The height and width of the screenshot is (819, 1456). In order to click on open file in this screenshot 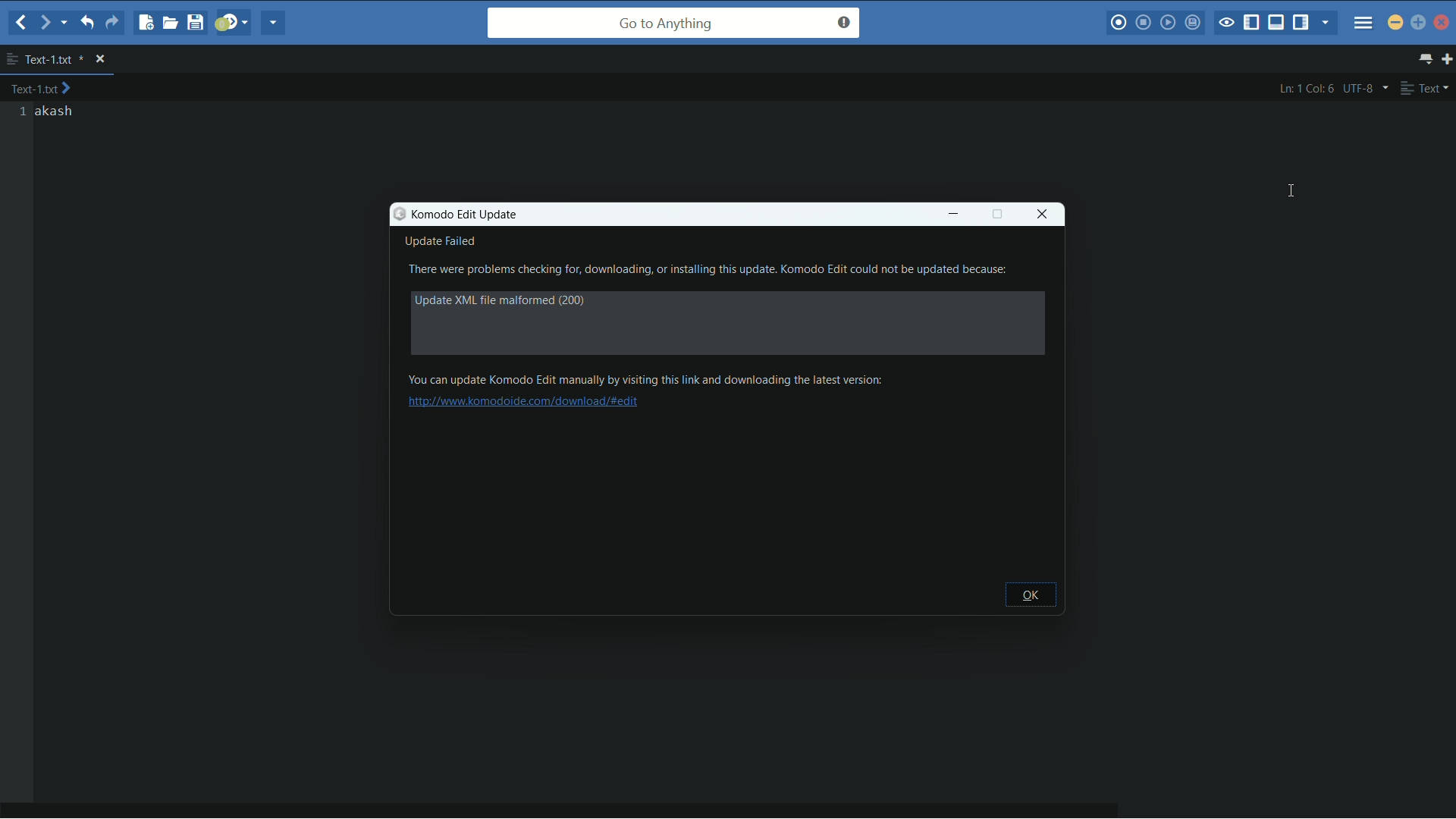, I will do `click(171, 23)`.